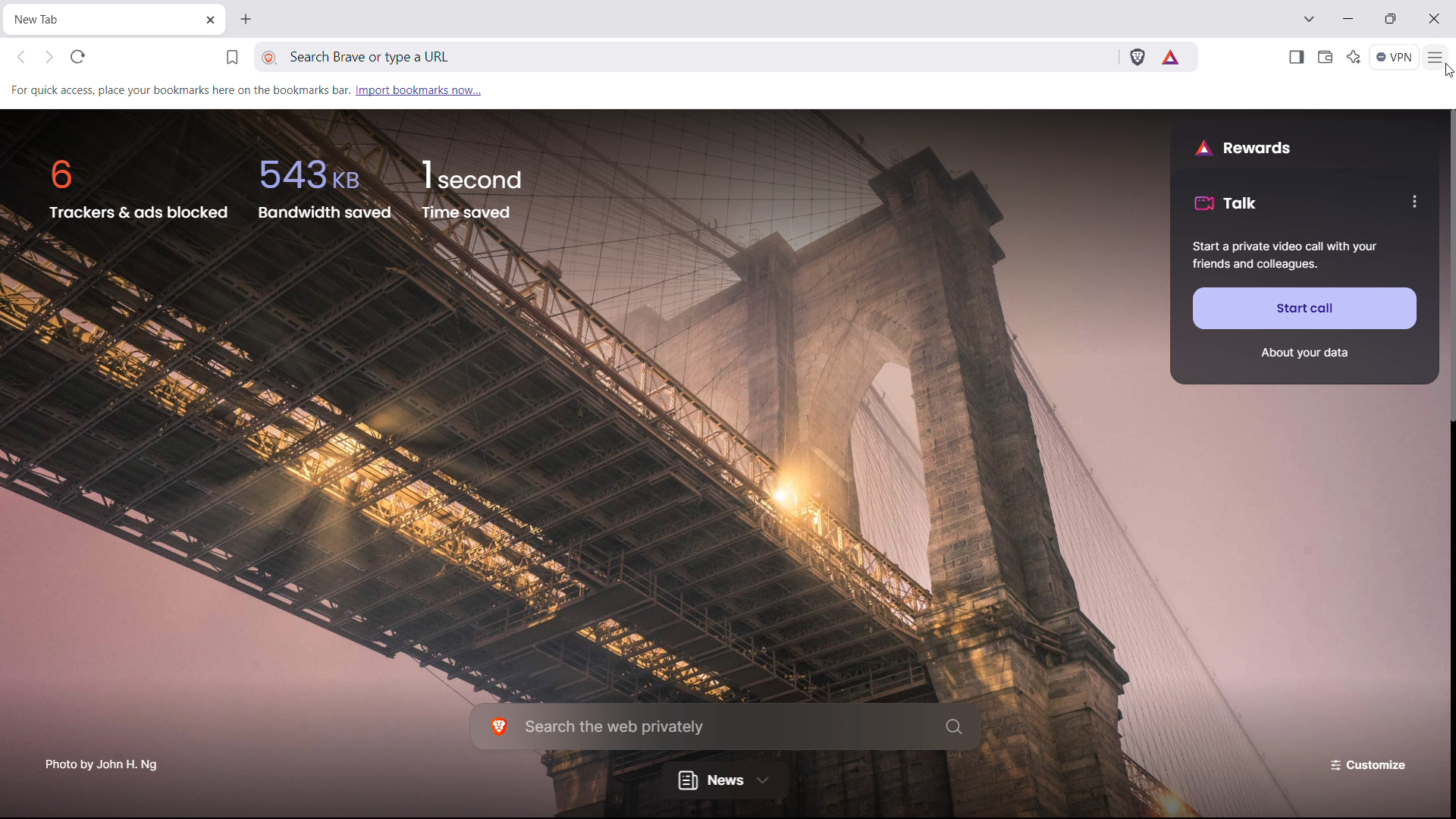 Image resolution: width=1456 pixels, height=819 pixels. I want to click on click to go back forward to see history , so click(47, 56).